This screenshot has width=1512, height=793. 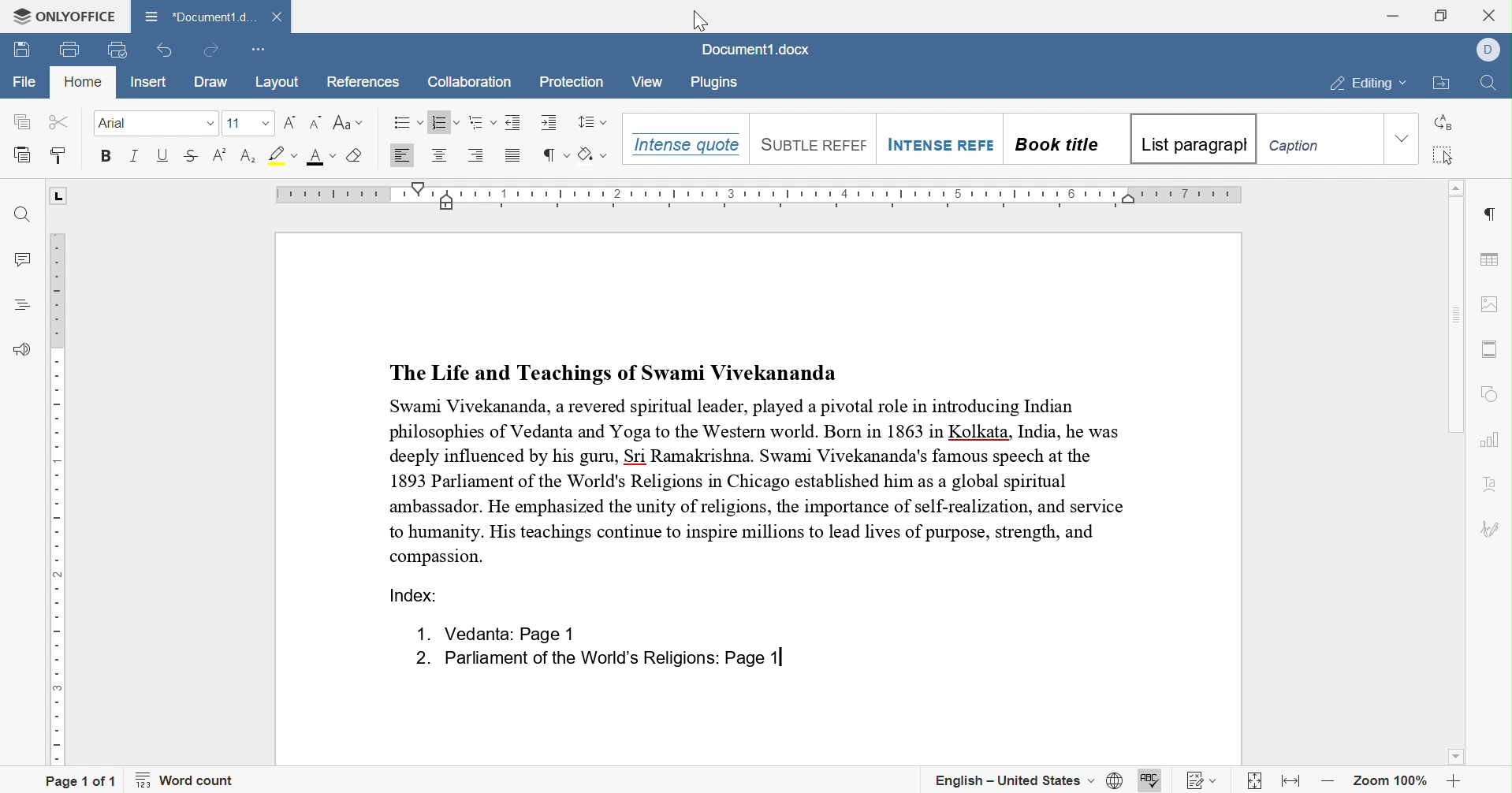 I want to click on book title, so click(x=1062, y=140).